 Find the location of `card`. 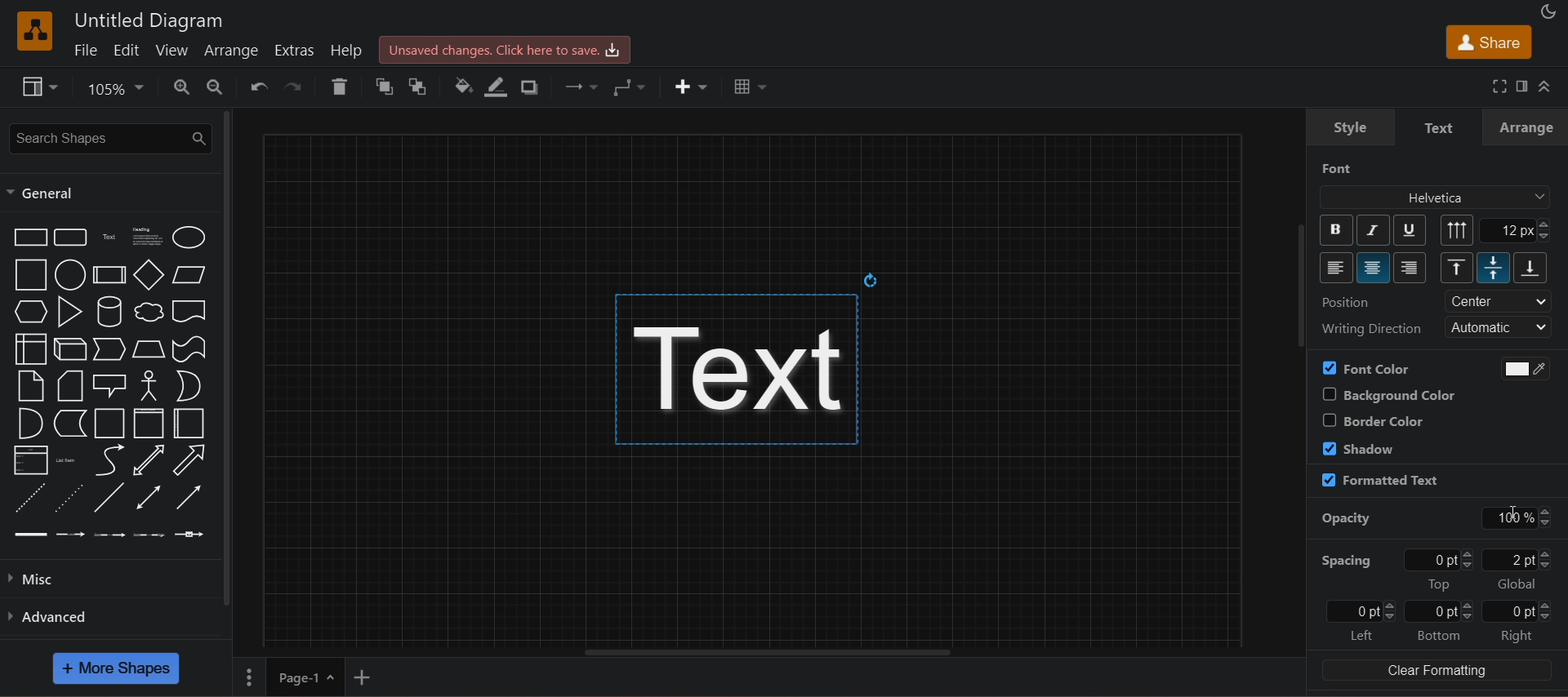

card is located at coordinates (71, 385).